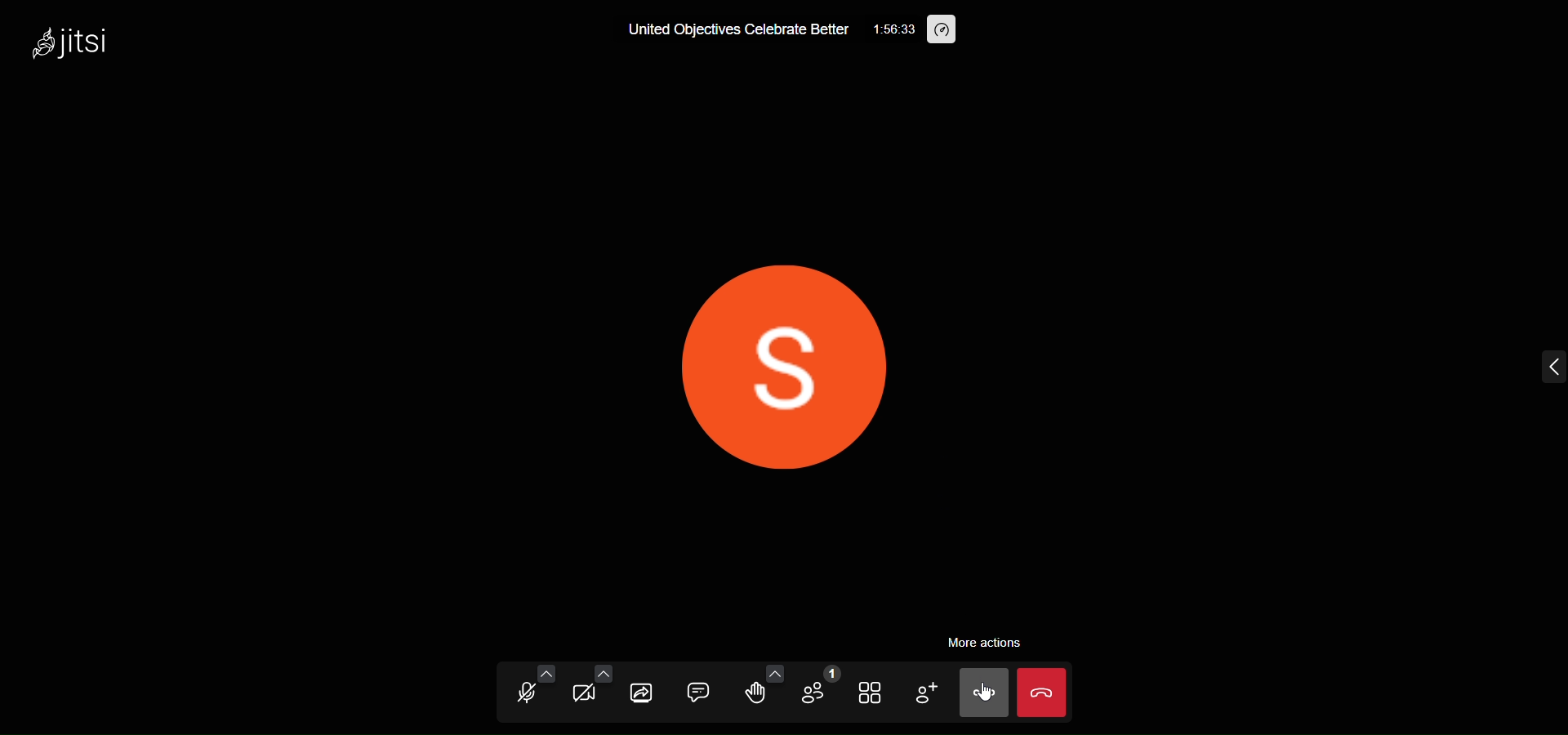 The width and height of the screenshot is (1568, 735). Describe the element at coordinates (925, 694) in the screenshot. I see `invite people` at that location.